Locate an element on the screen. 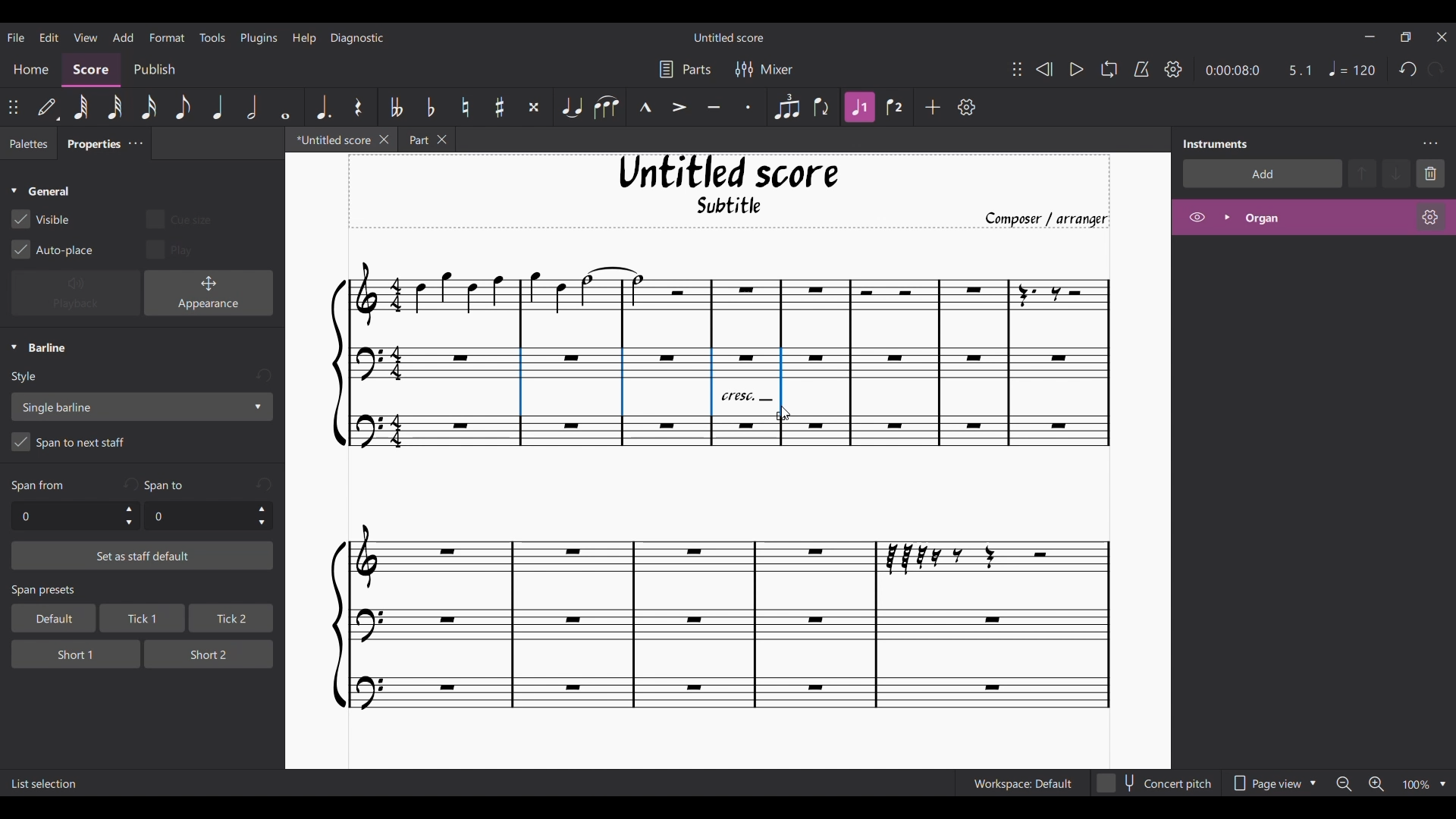 The width and height of the screenshot is (1456, 819). Increase/Decrease Span to is located at coordinates (262, 516).